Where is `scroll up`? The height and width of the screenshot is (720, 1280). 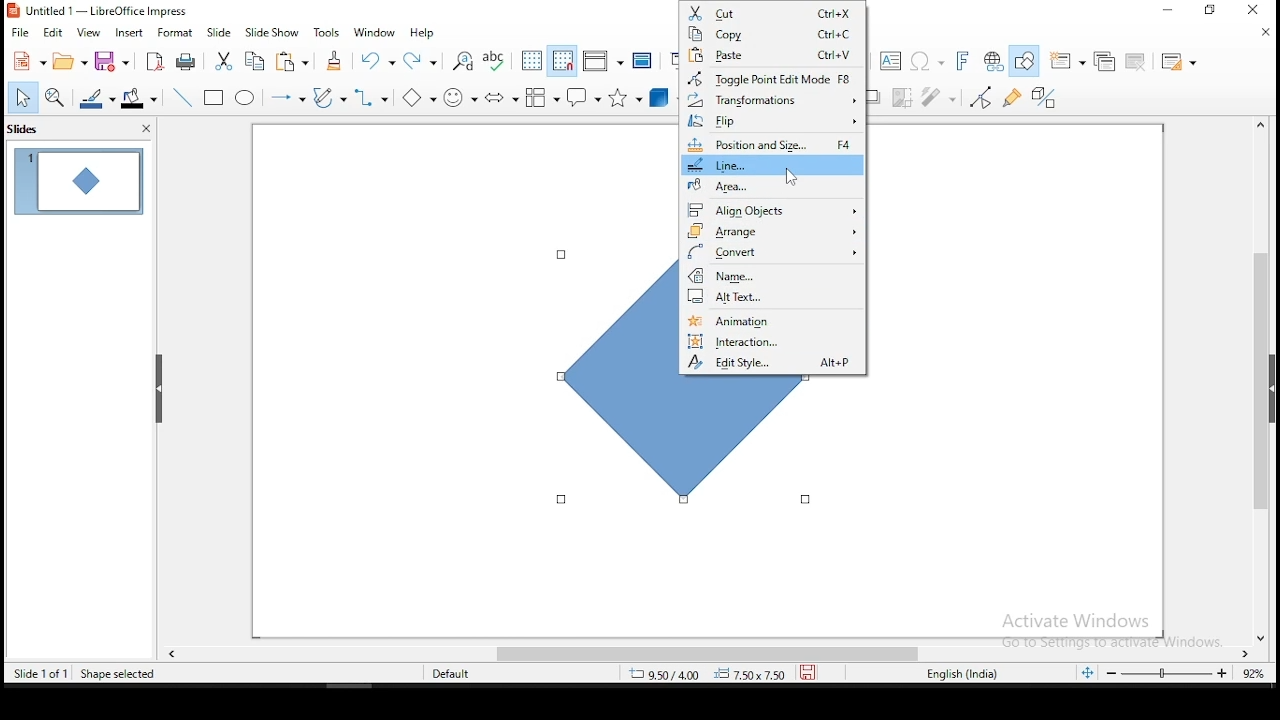
scroll up is located at coordinates (1259, 127).